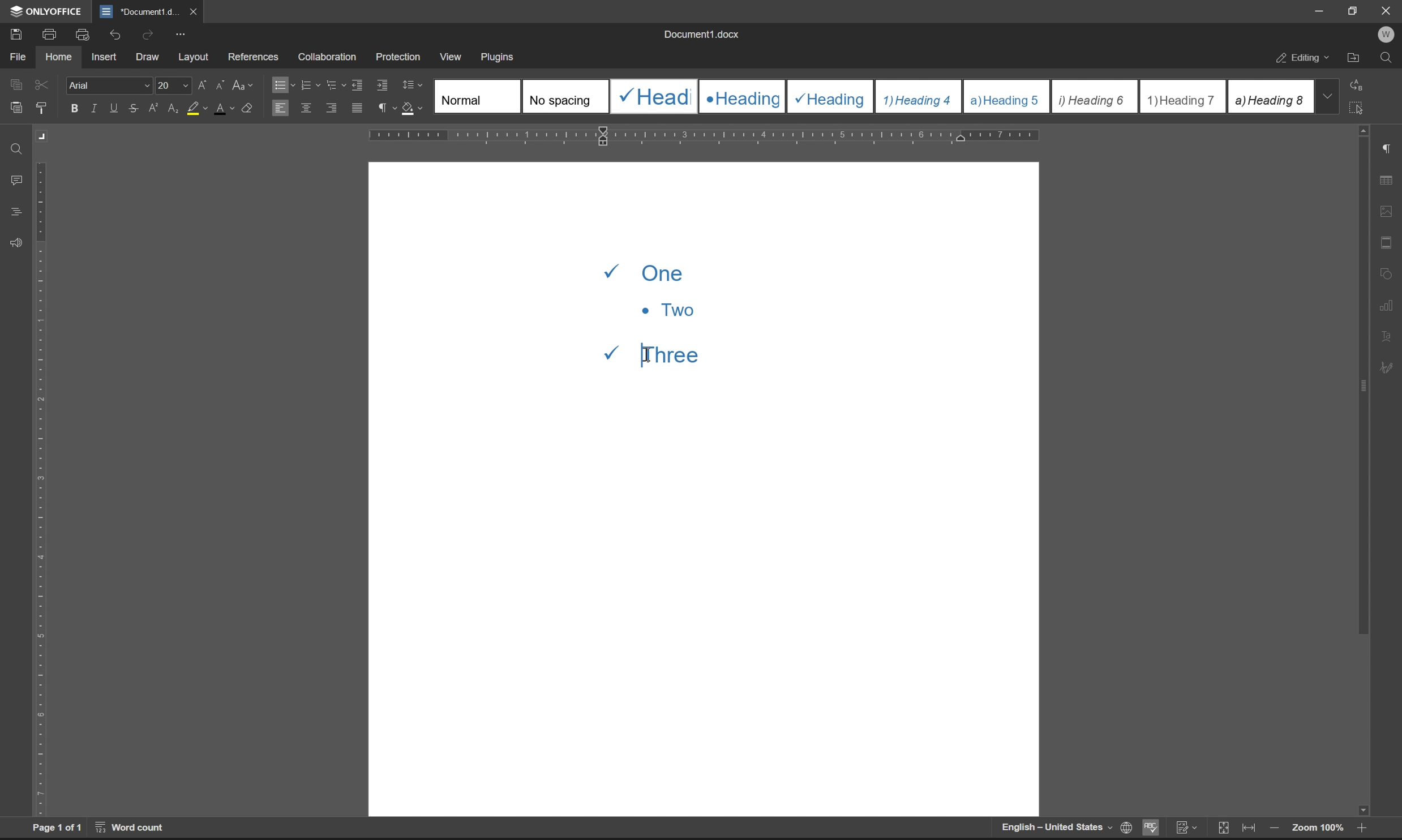 The width and height of the screenshot is (1402, 840). I want to click on spell checking, so click(1150, 827).